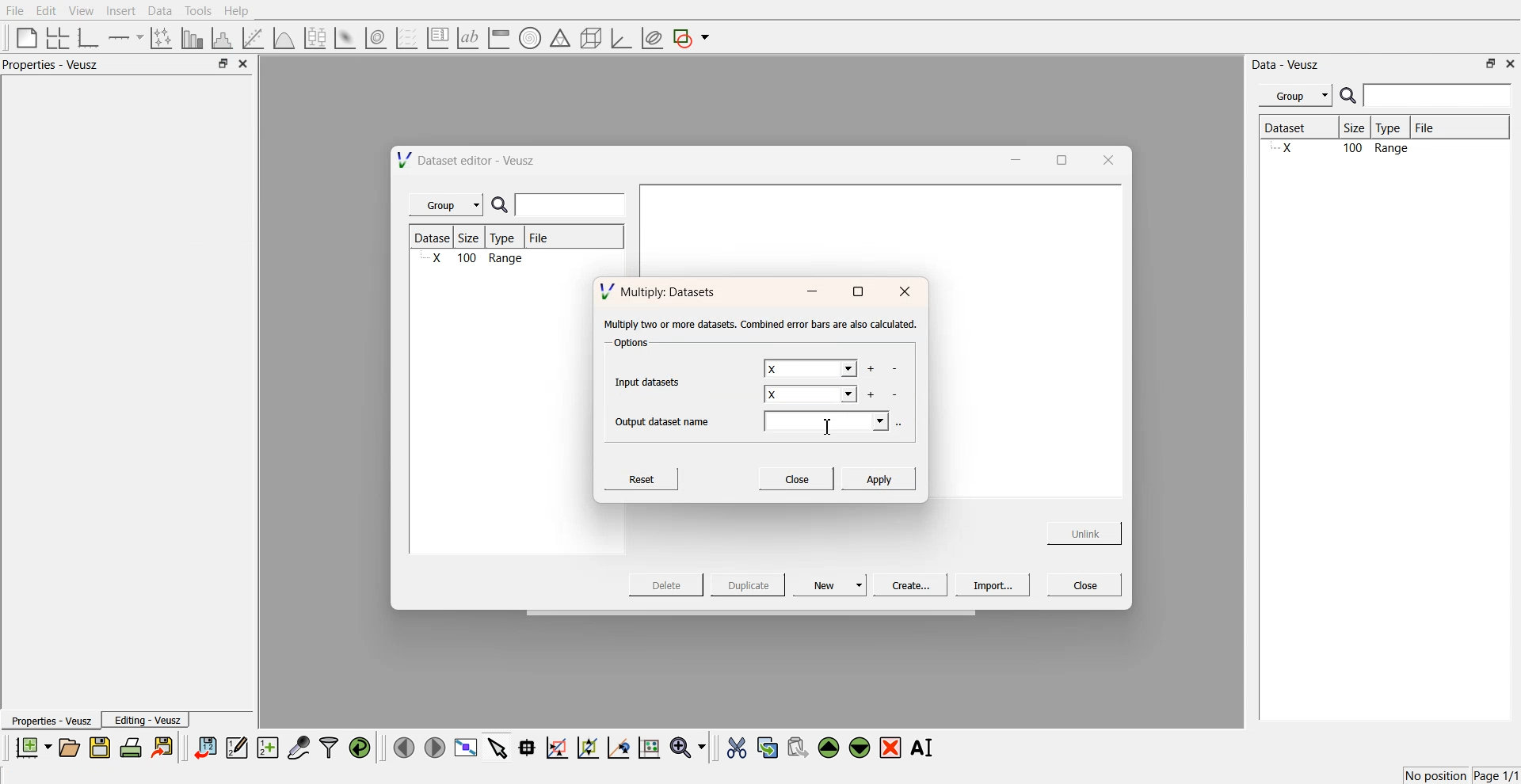 The height and width of the screenshot is (784, 1521). I want to click on base graphs, so click(90, 37).